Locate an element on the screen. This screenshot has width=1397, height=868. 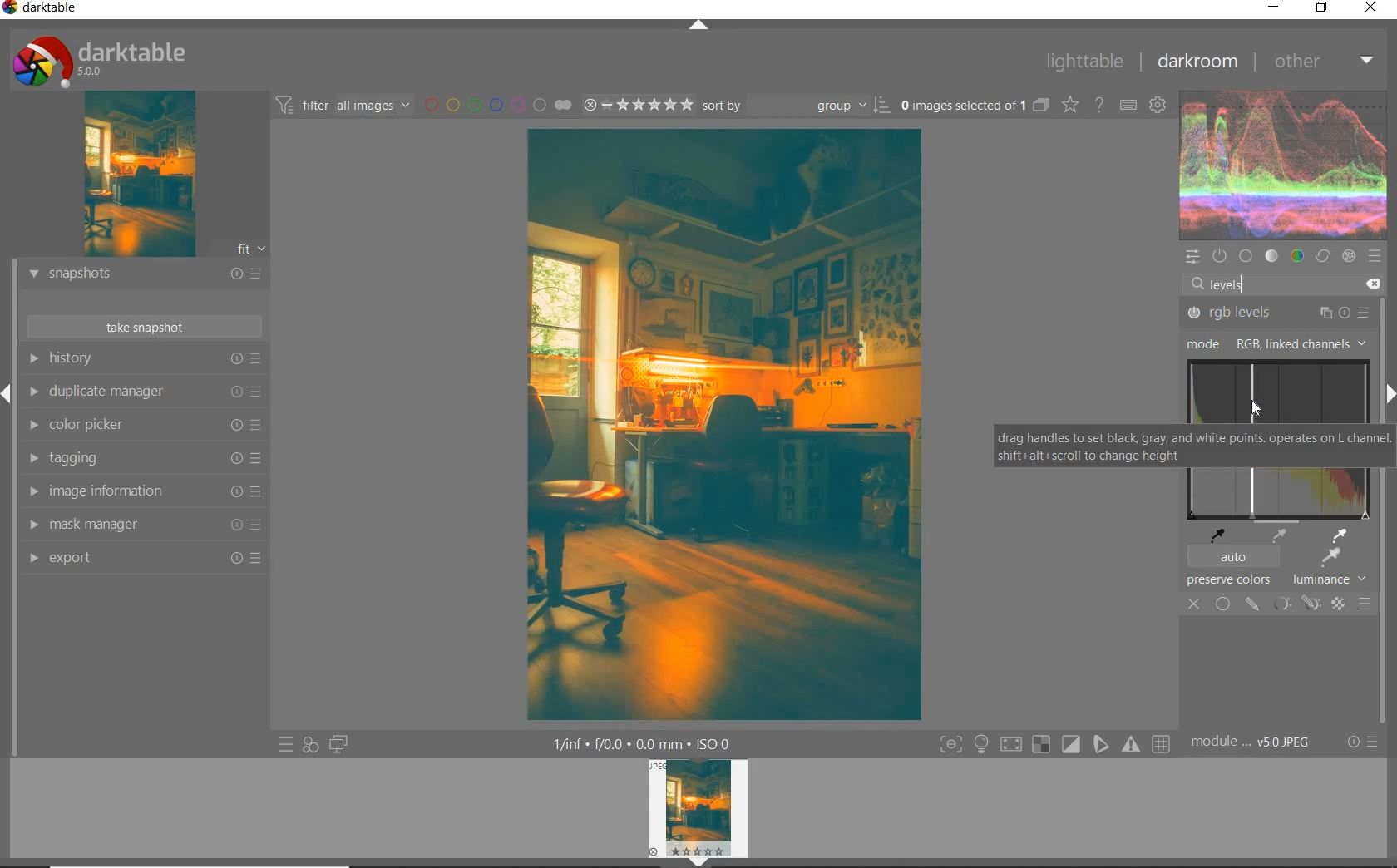
darkroom is located at coordinates (1200, 62).